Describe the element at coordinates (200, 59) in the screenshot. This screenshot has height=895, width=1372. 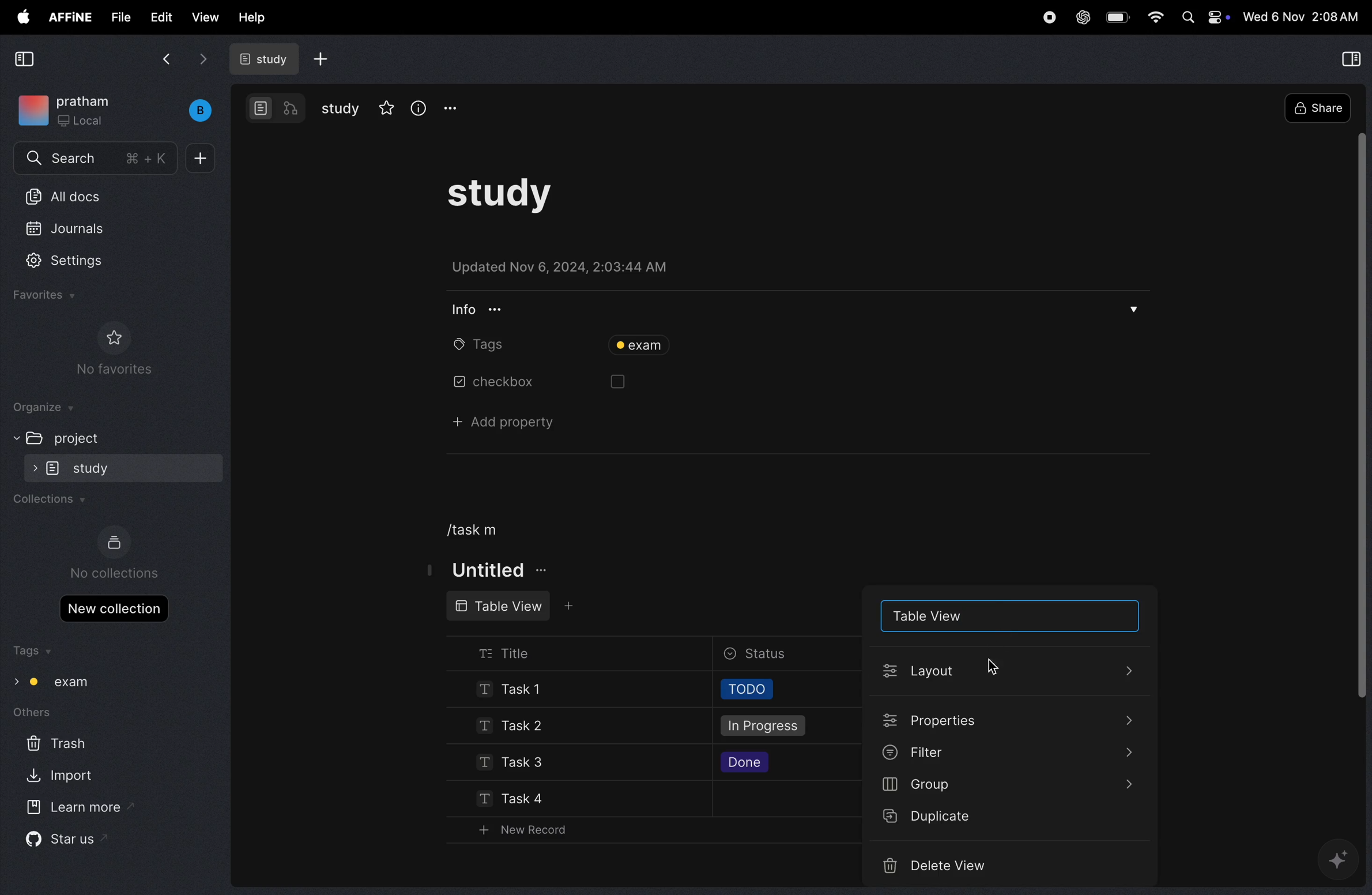
I see `forward` at that location.